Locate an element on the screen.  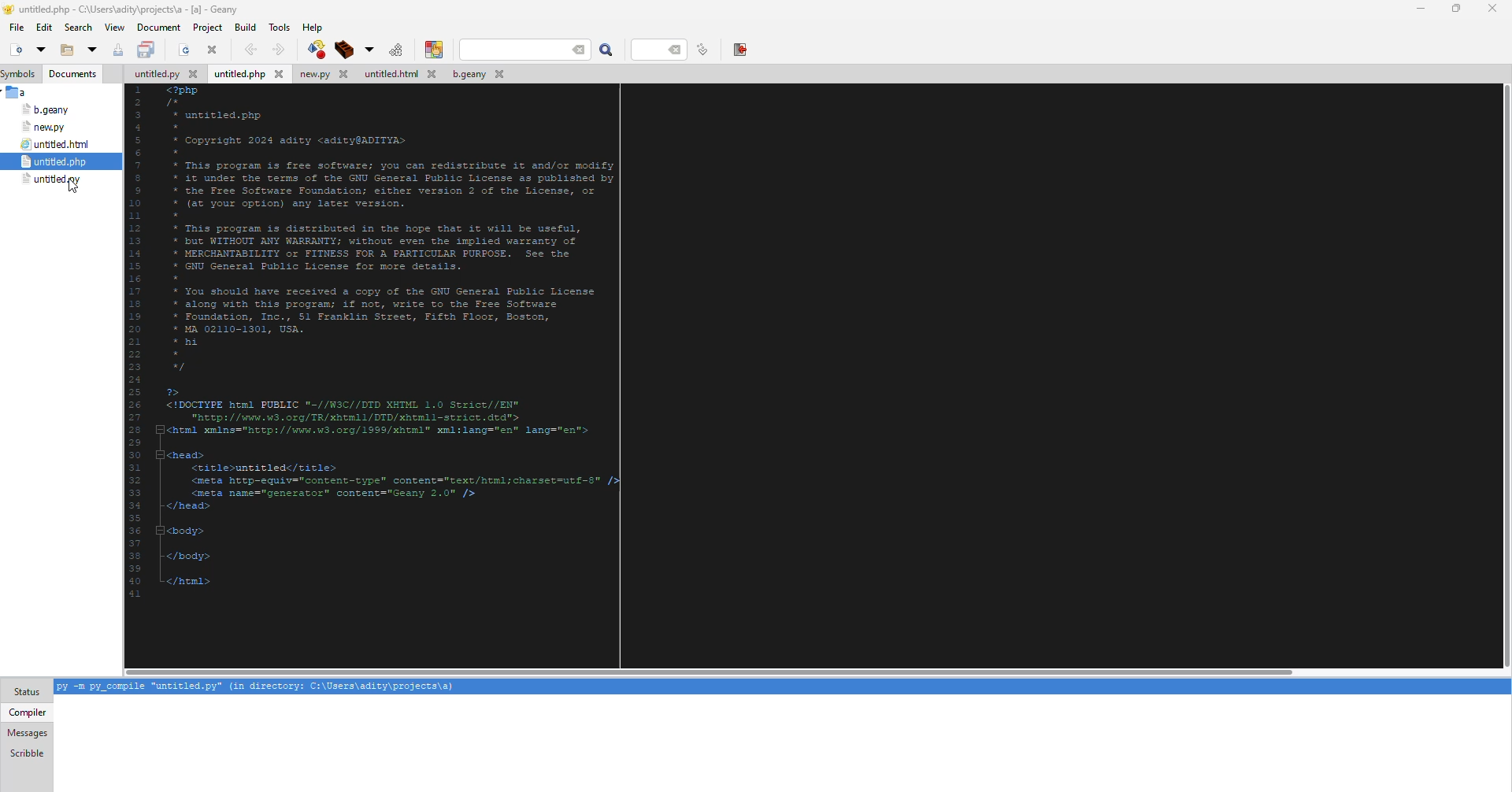
info is located at coordinates (255, 687).